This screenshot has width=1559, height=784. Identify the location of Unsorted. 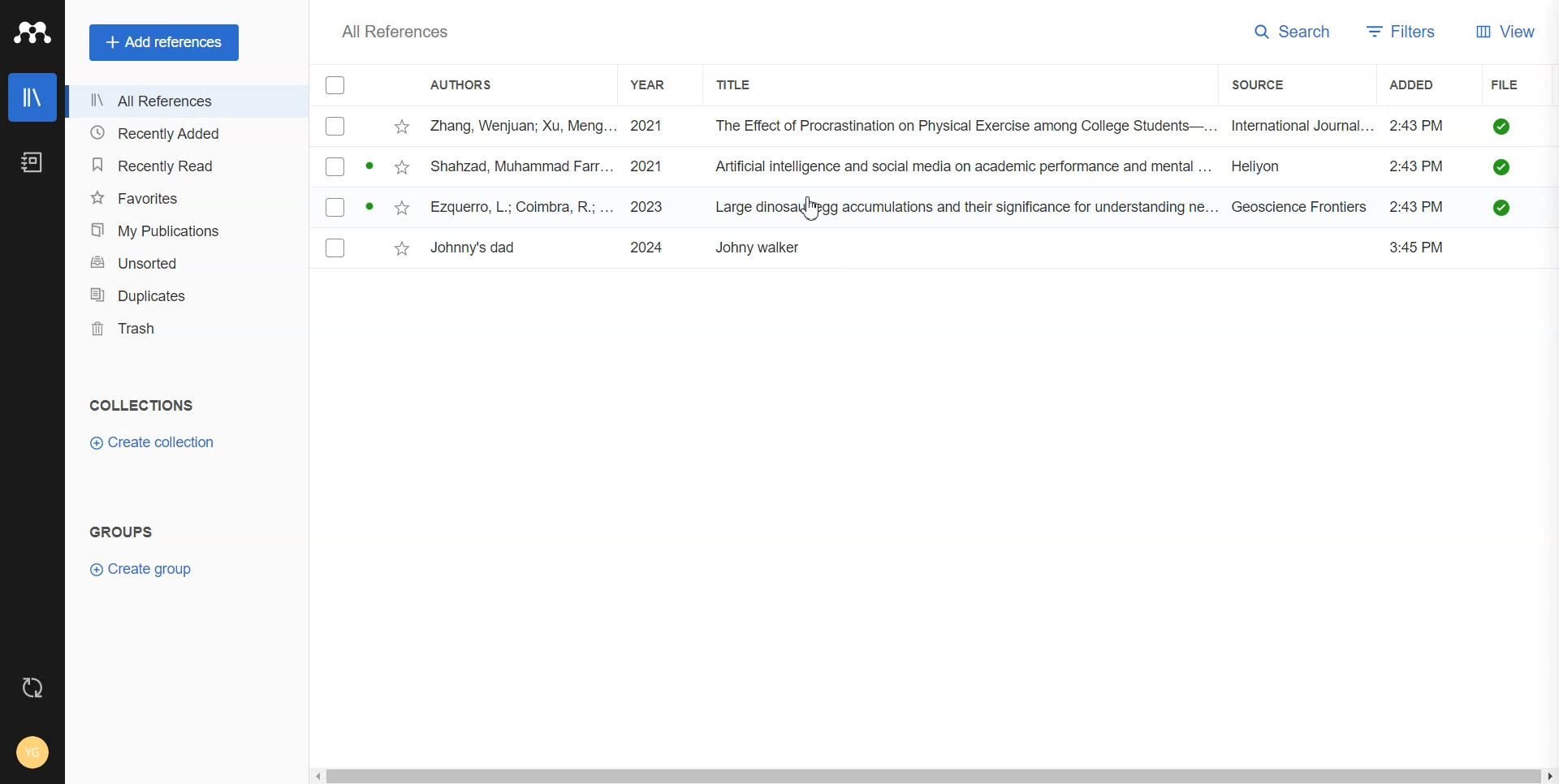
(177, 261).